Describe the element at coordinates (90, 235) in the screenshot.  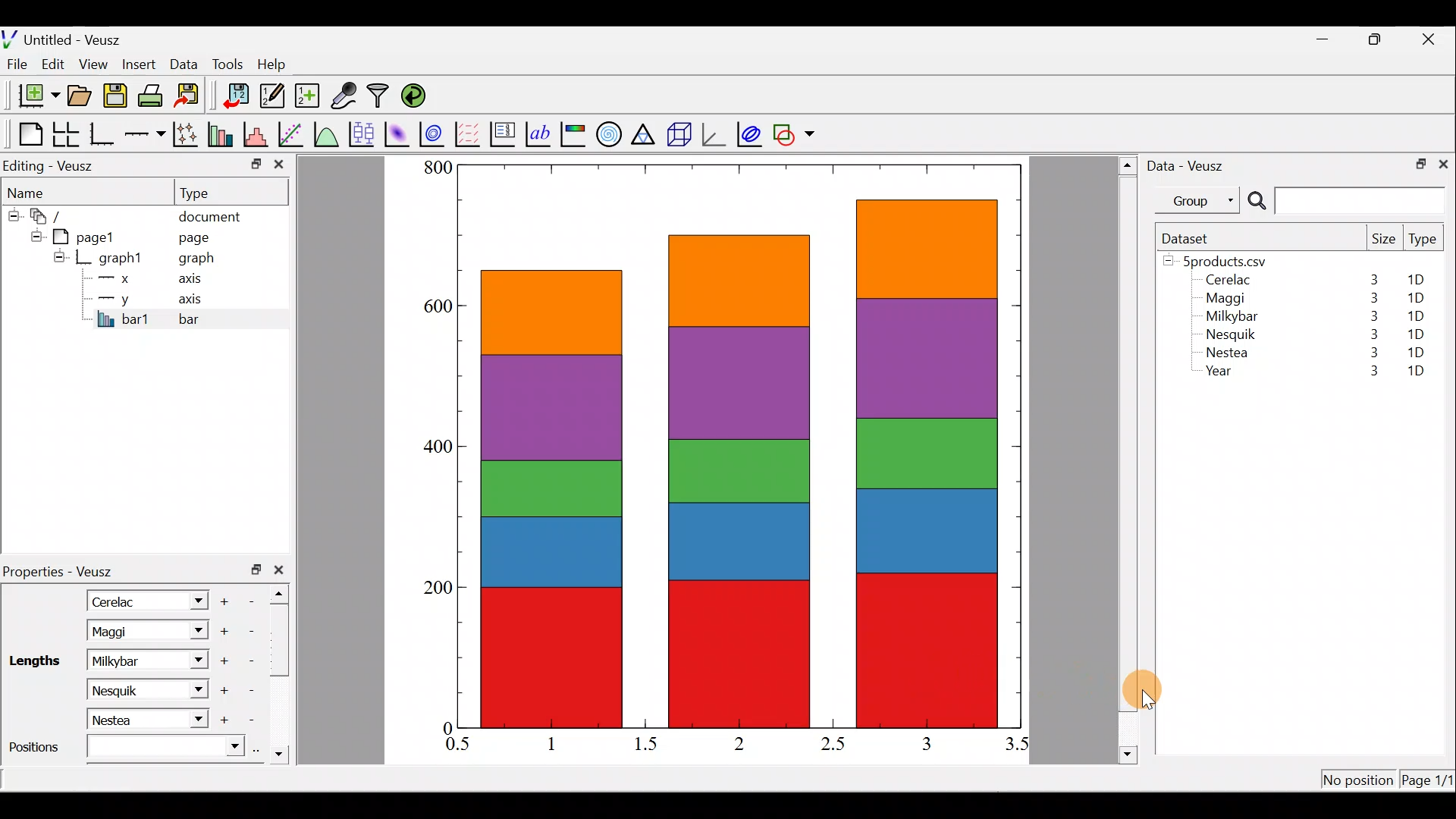
I see `pagel` at that location.